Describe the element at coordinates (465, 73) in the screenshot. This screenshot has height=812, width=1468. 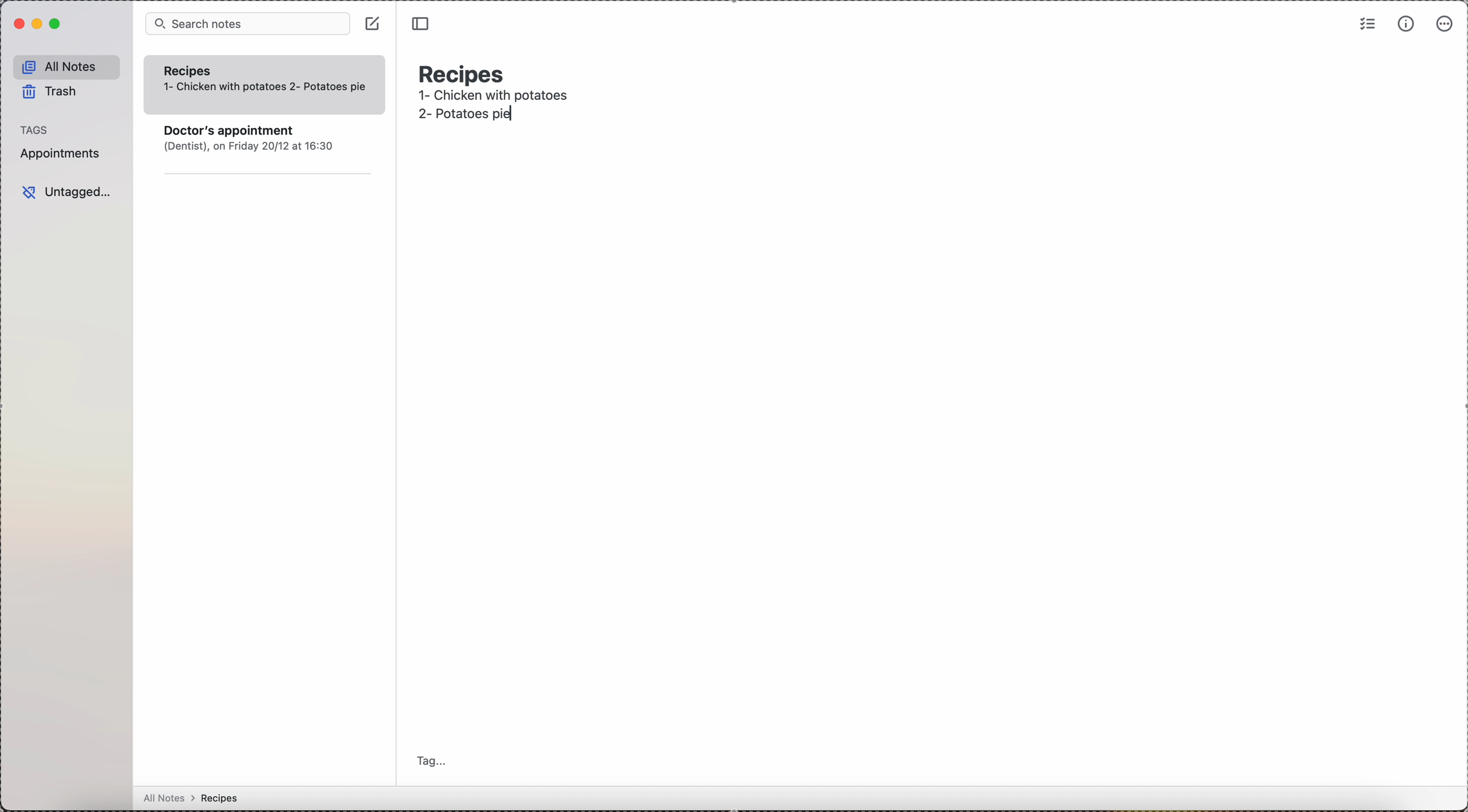
I see `recipes` at that location.